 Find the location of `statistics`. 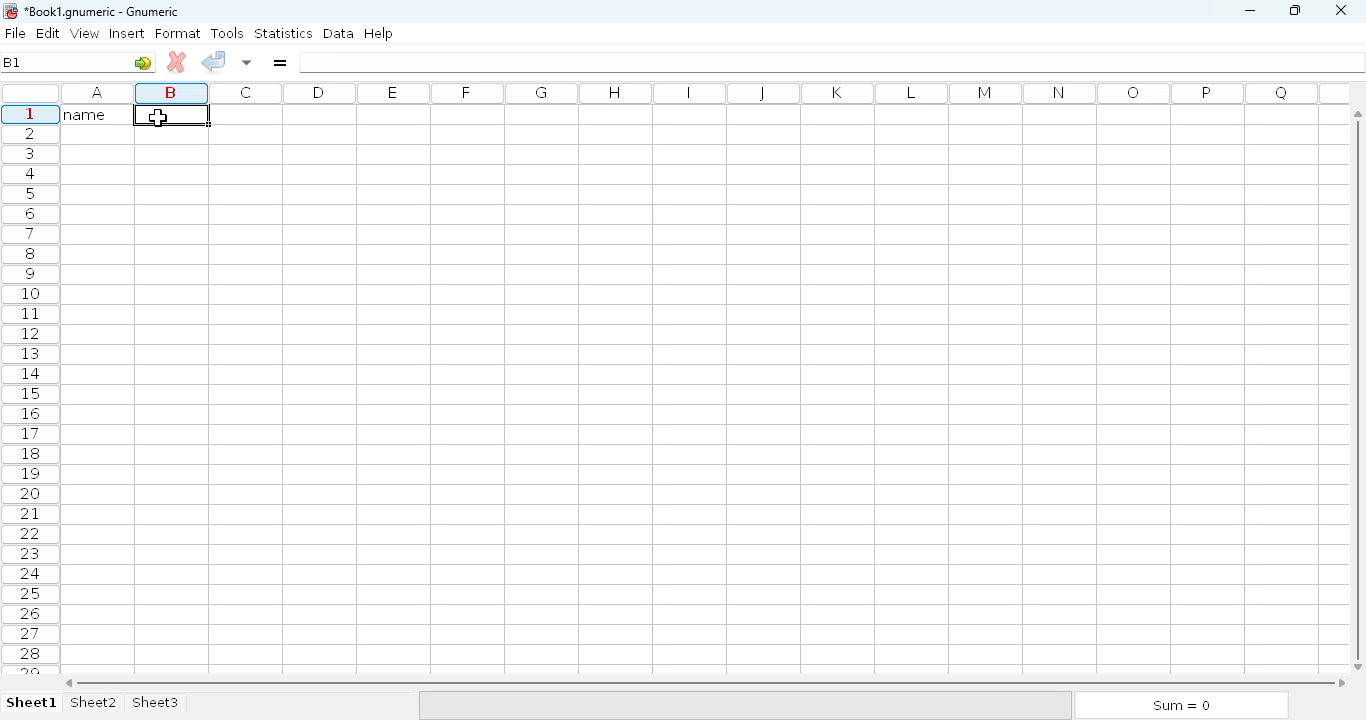

statistics is located at coordinates (283, 32).